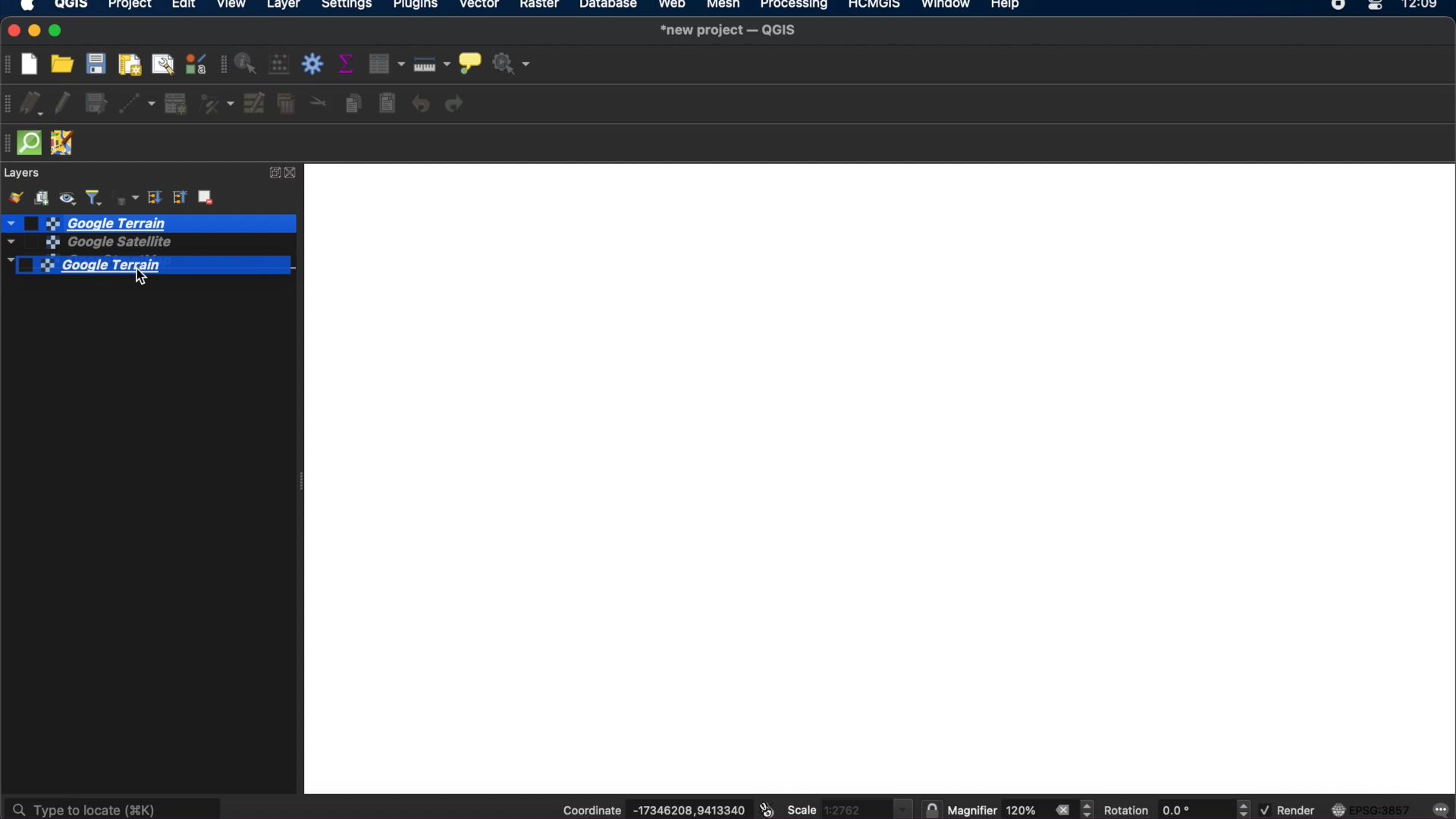 This screenshot has width=1456, height=819. What do you see at coordinates (481, 7) in the screenshot?
I see `vector` at bounding box center [481, 7].